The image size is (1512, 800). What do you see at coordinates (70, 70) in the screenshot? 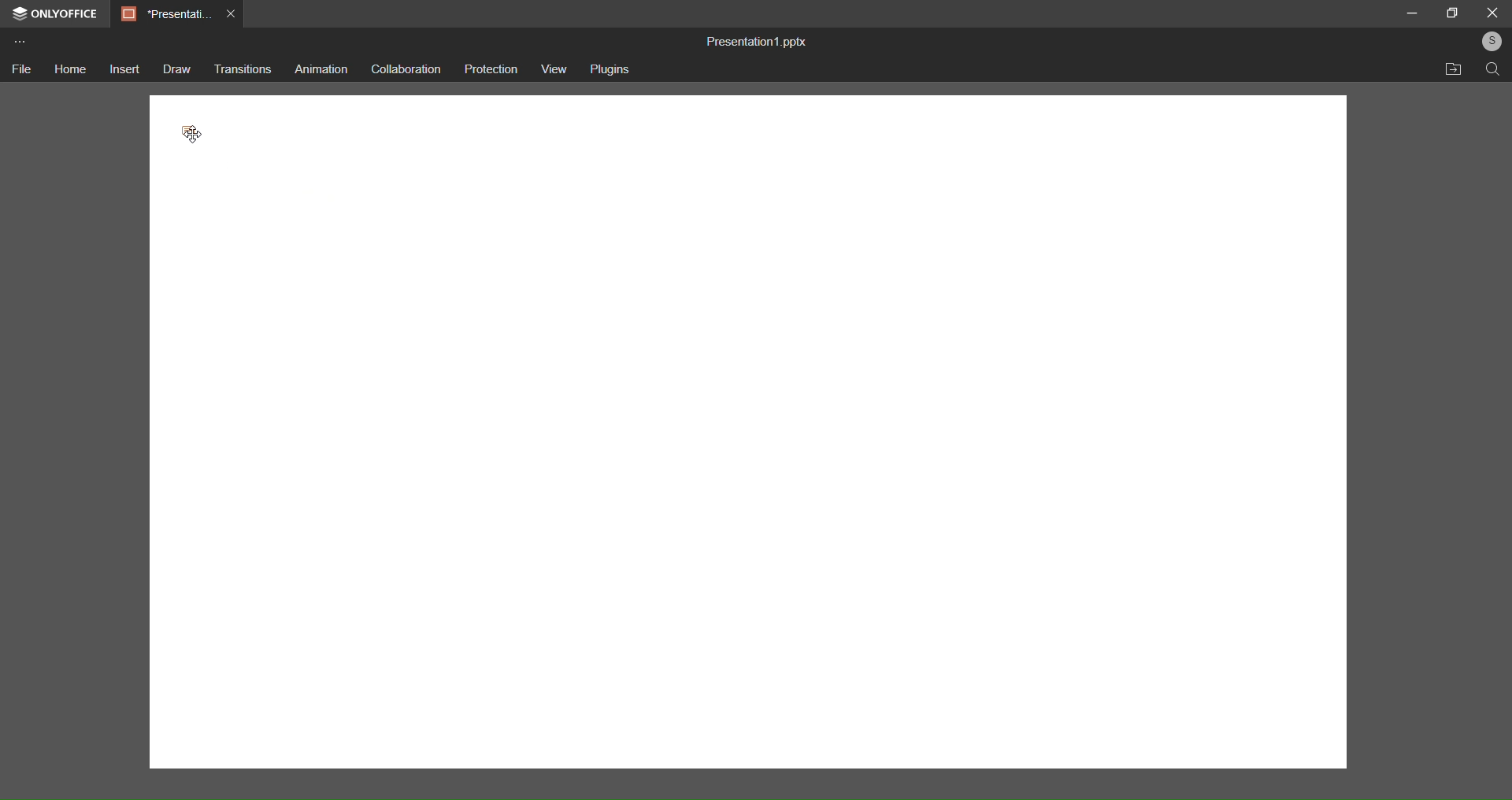
I see `home` at bounding box center [70, 70].